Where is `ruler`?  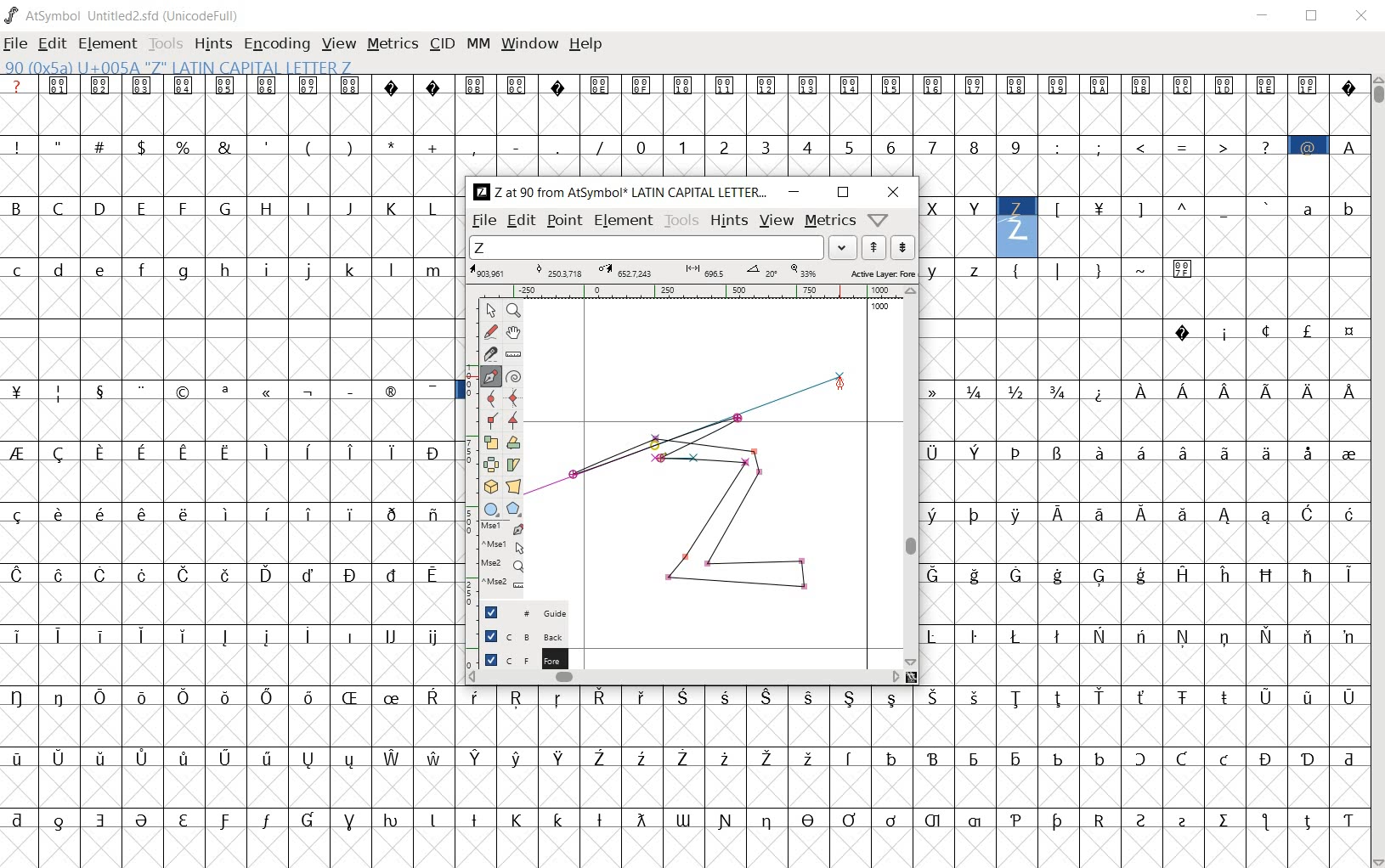 ruler is located at coordinates (704, 290).